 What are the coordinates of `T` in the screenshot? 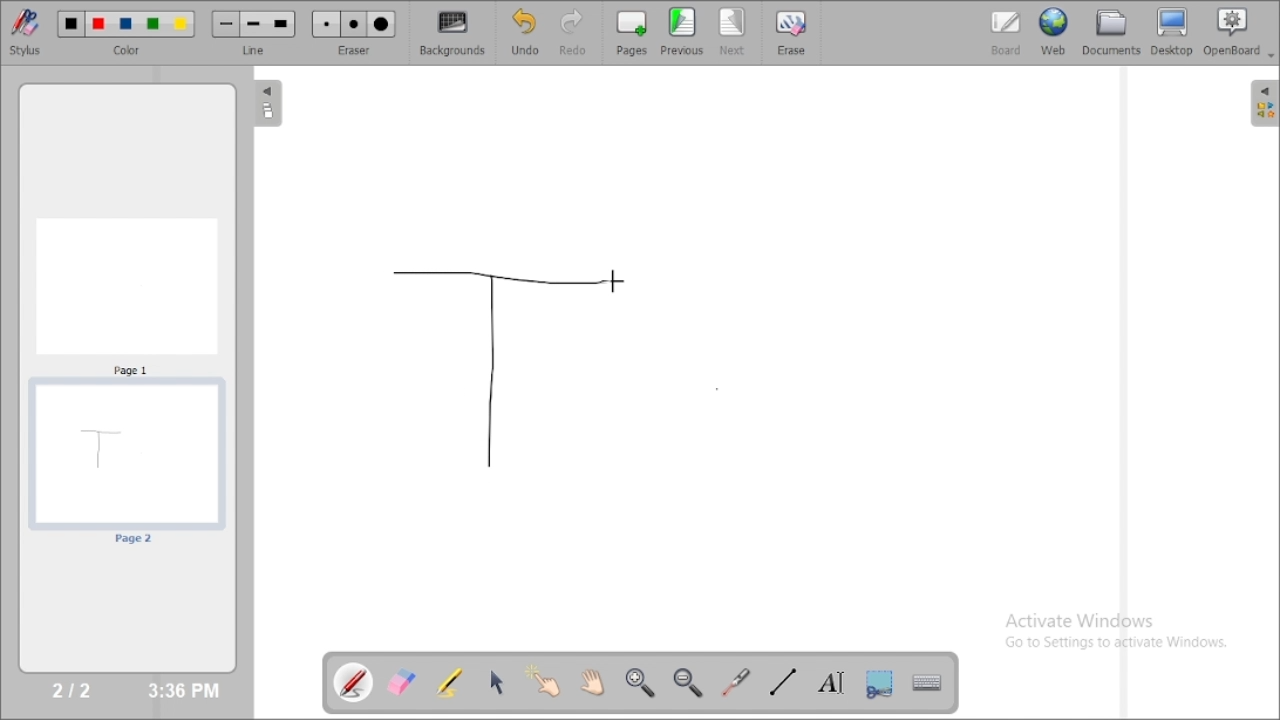 It's located at (496, 369).